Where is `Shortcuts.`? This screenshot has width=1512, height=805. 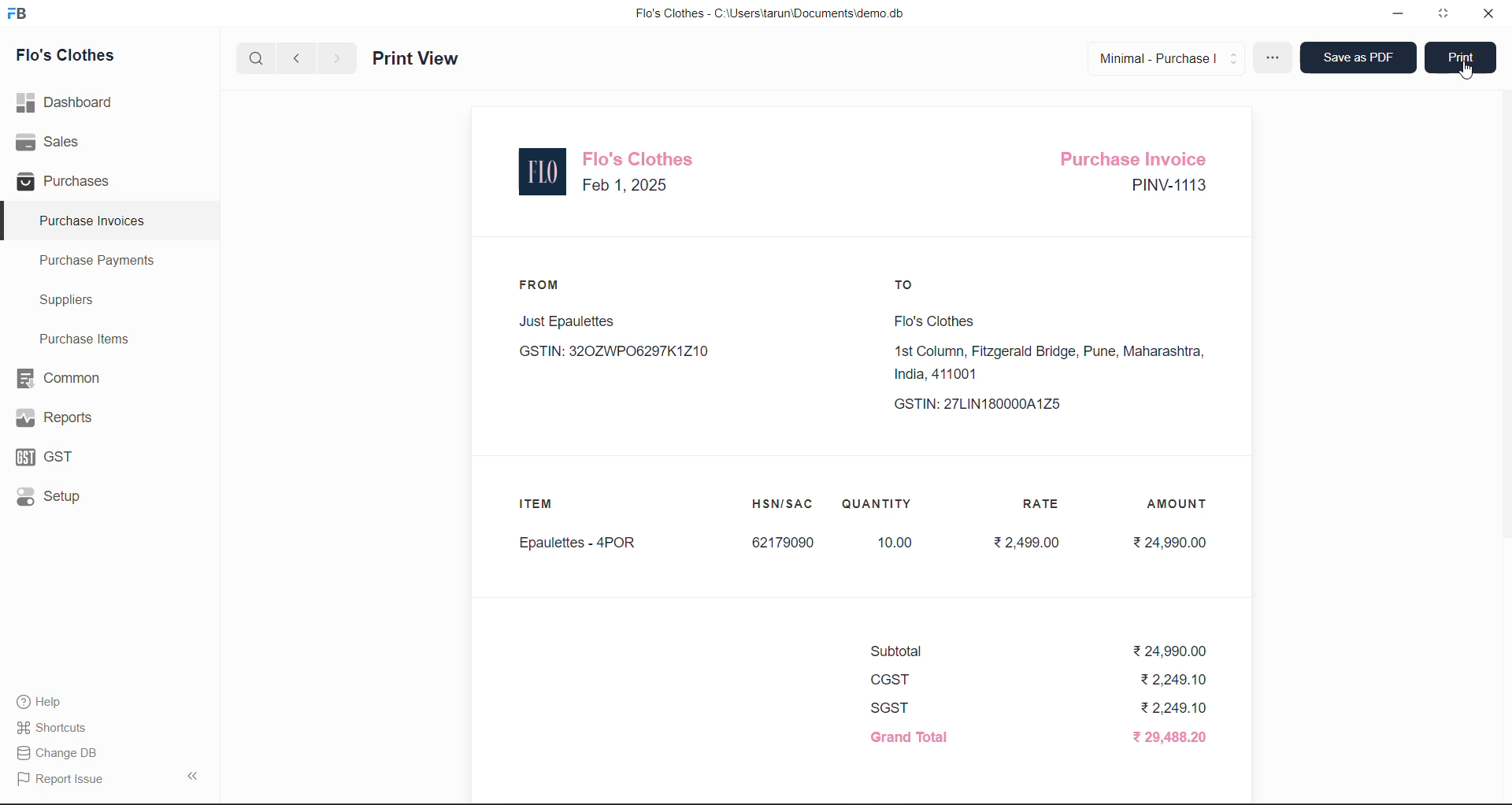 Shortcuts. is located at coordinates (57, 726).